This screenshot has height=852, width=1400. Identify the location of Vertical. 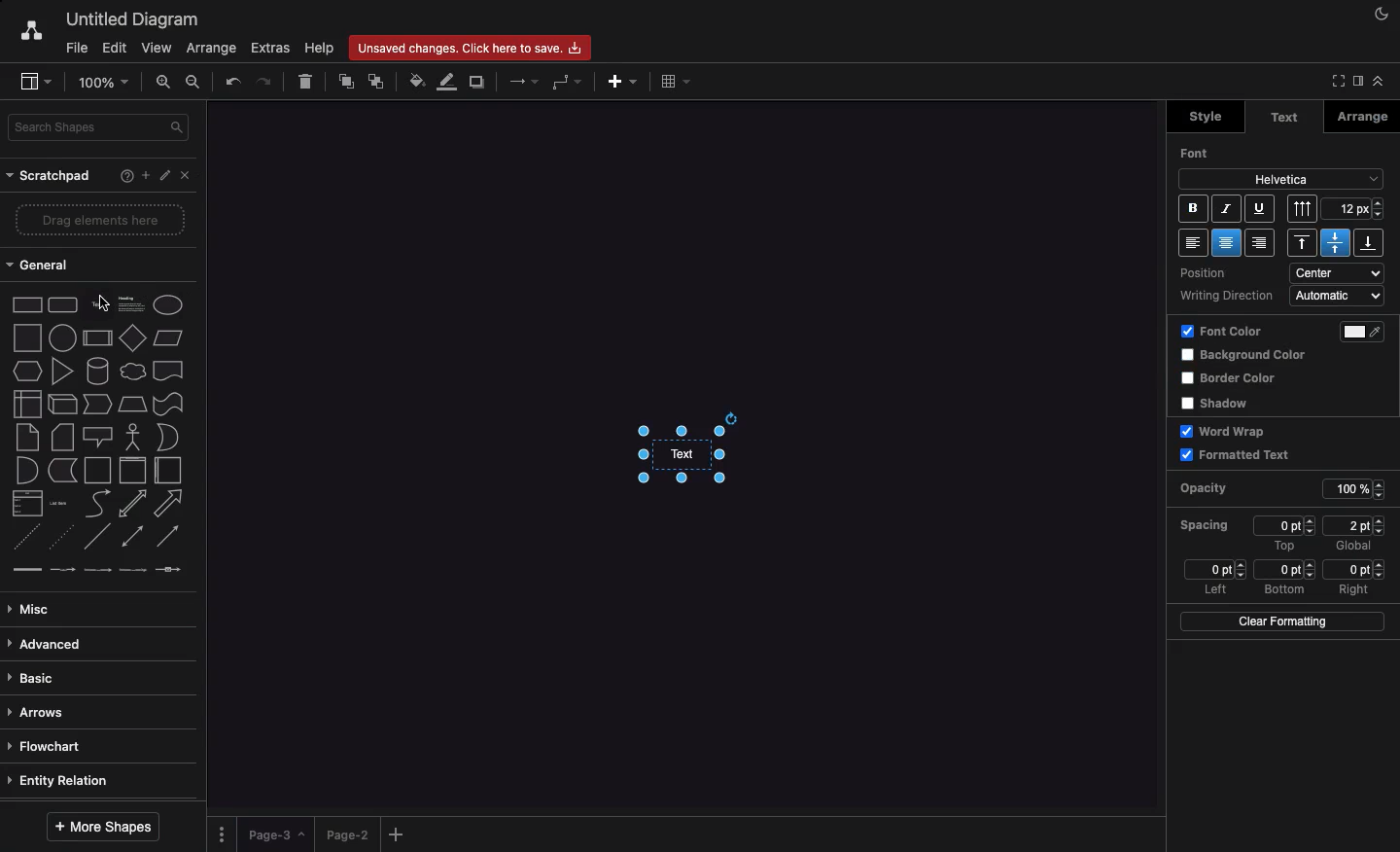
(1304, 208).